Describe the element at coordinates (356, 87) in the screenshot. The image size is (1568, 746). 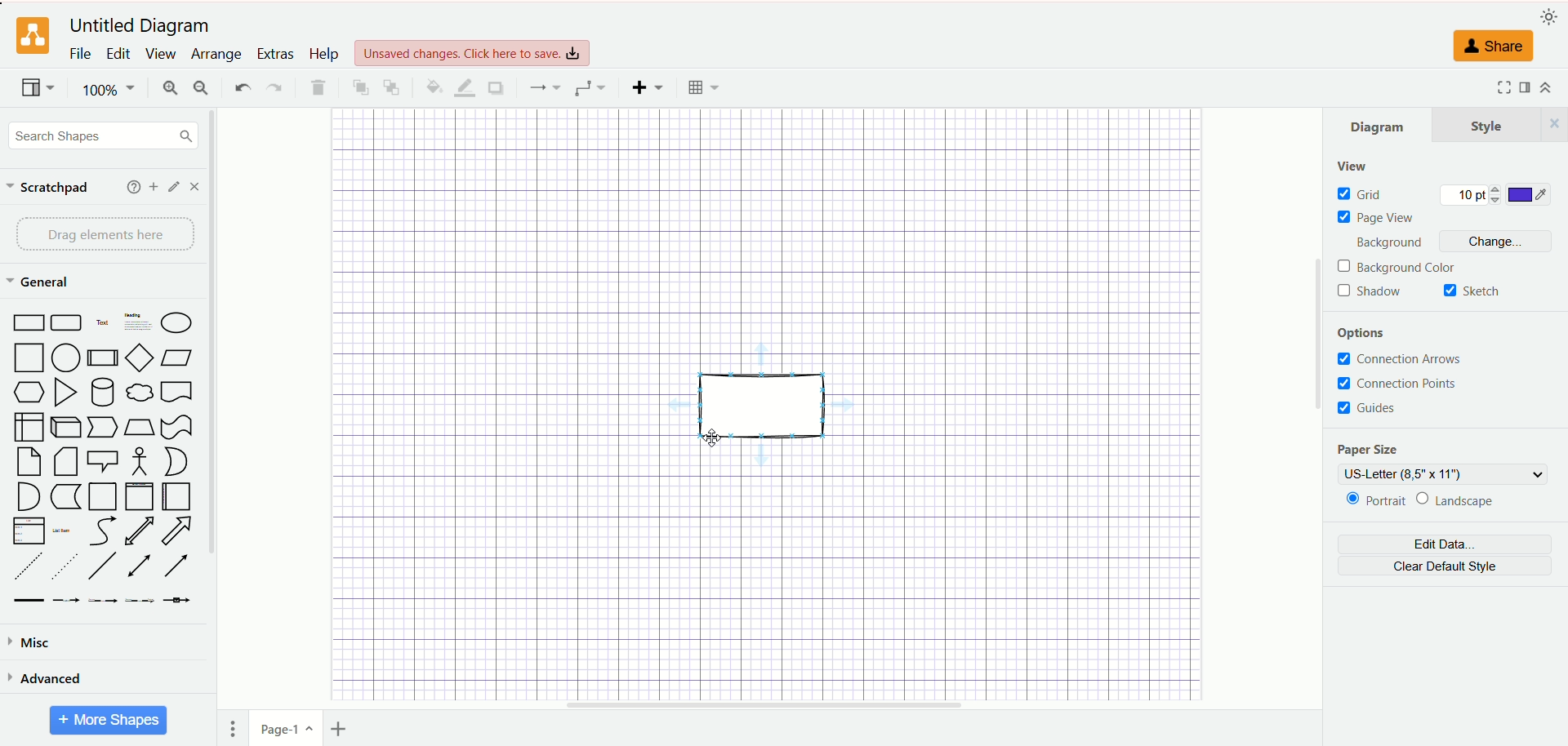
I see `to front` at that location.